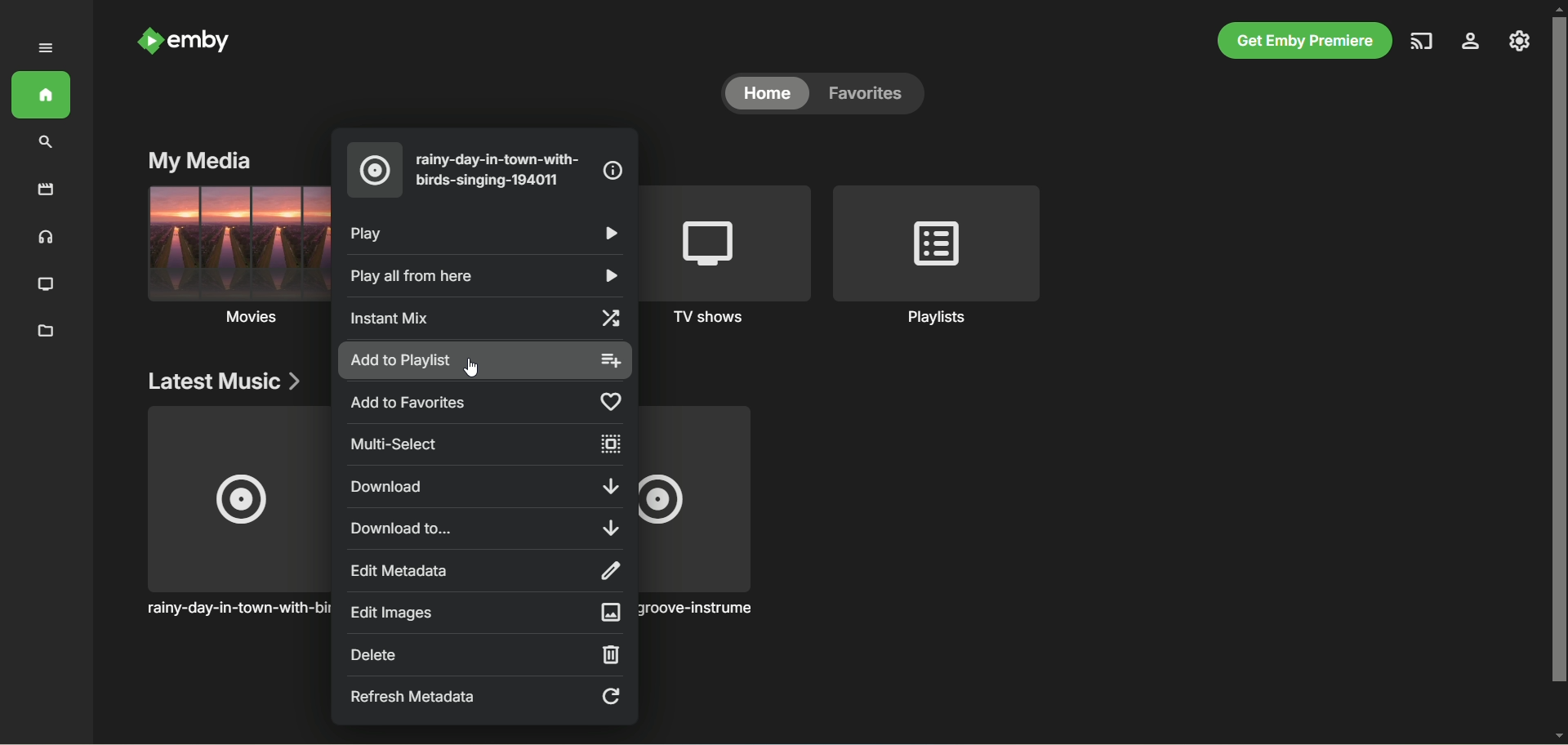 This screenshot has width=1568, height=745. What do you see at coordinates (1520, 41) in the screenshot?
I see `manage emby server` at bounding box center [1520, 41].